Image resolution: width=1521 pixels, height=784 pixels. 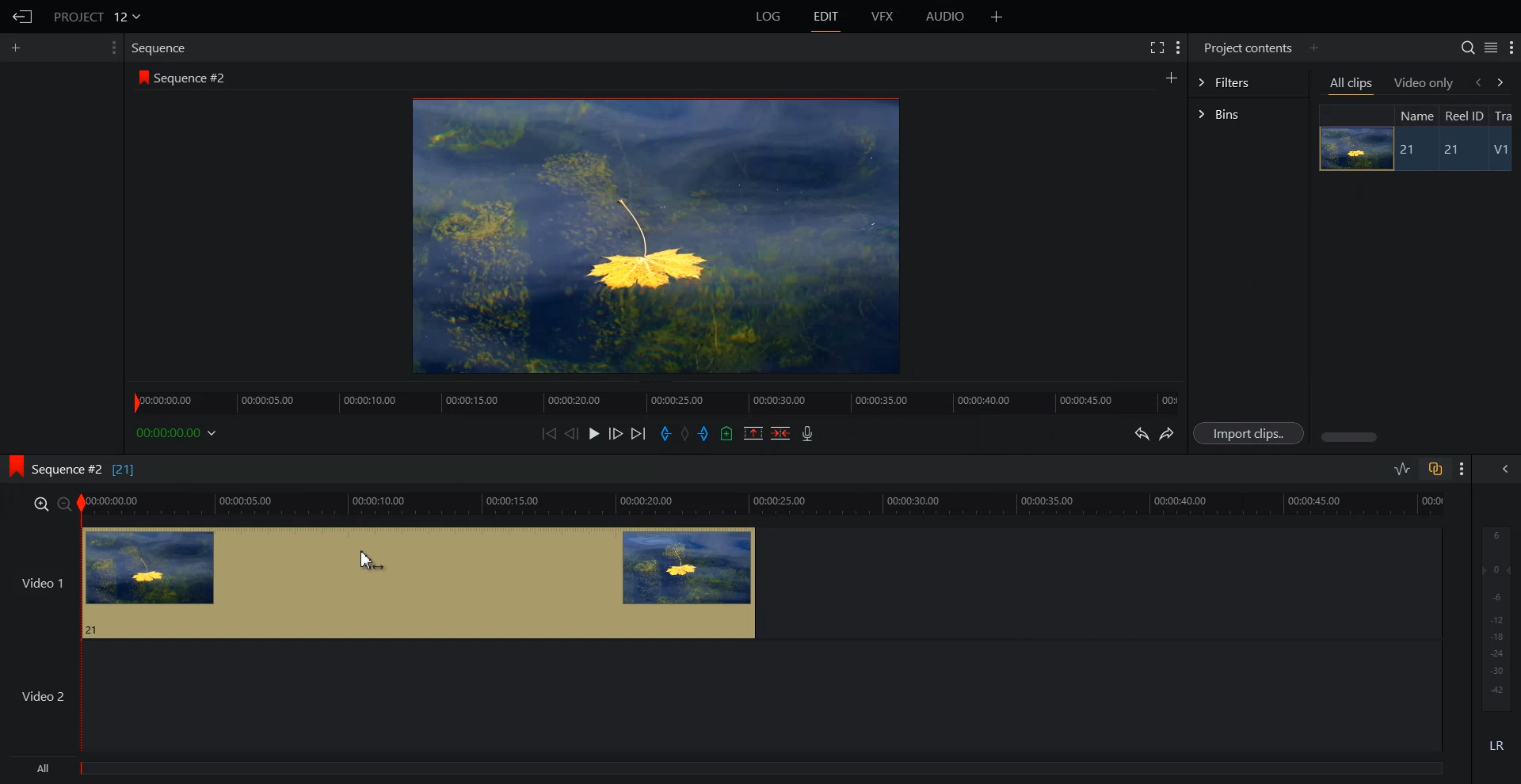 I want to click on Window preview, so click(x=651, y=234).